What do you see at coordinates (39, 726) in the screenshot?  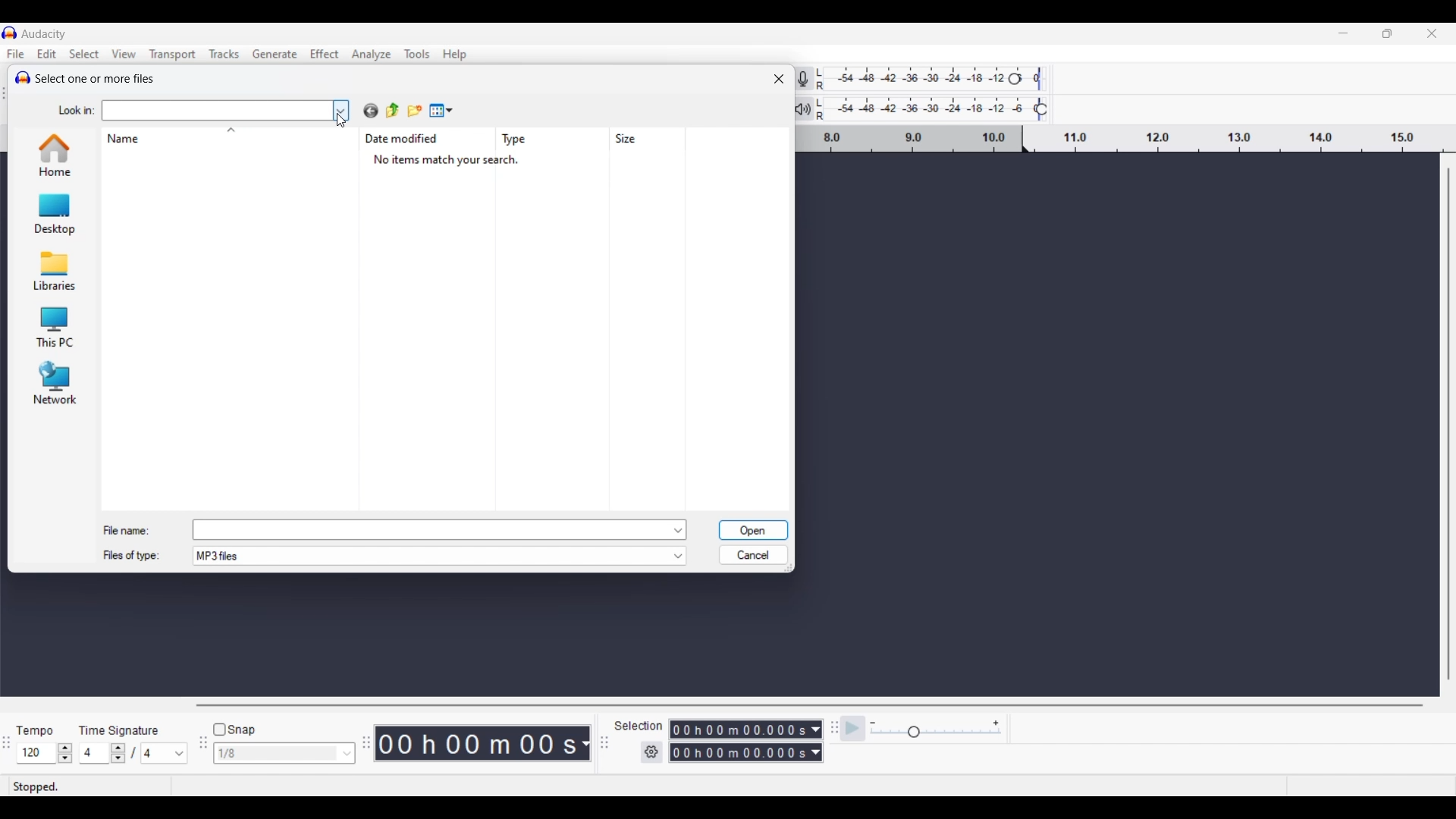 I see `Tempo` at bounding box center [39, 726].